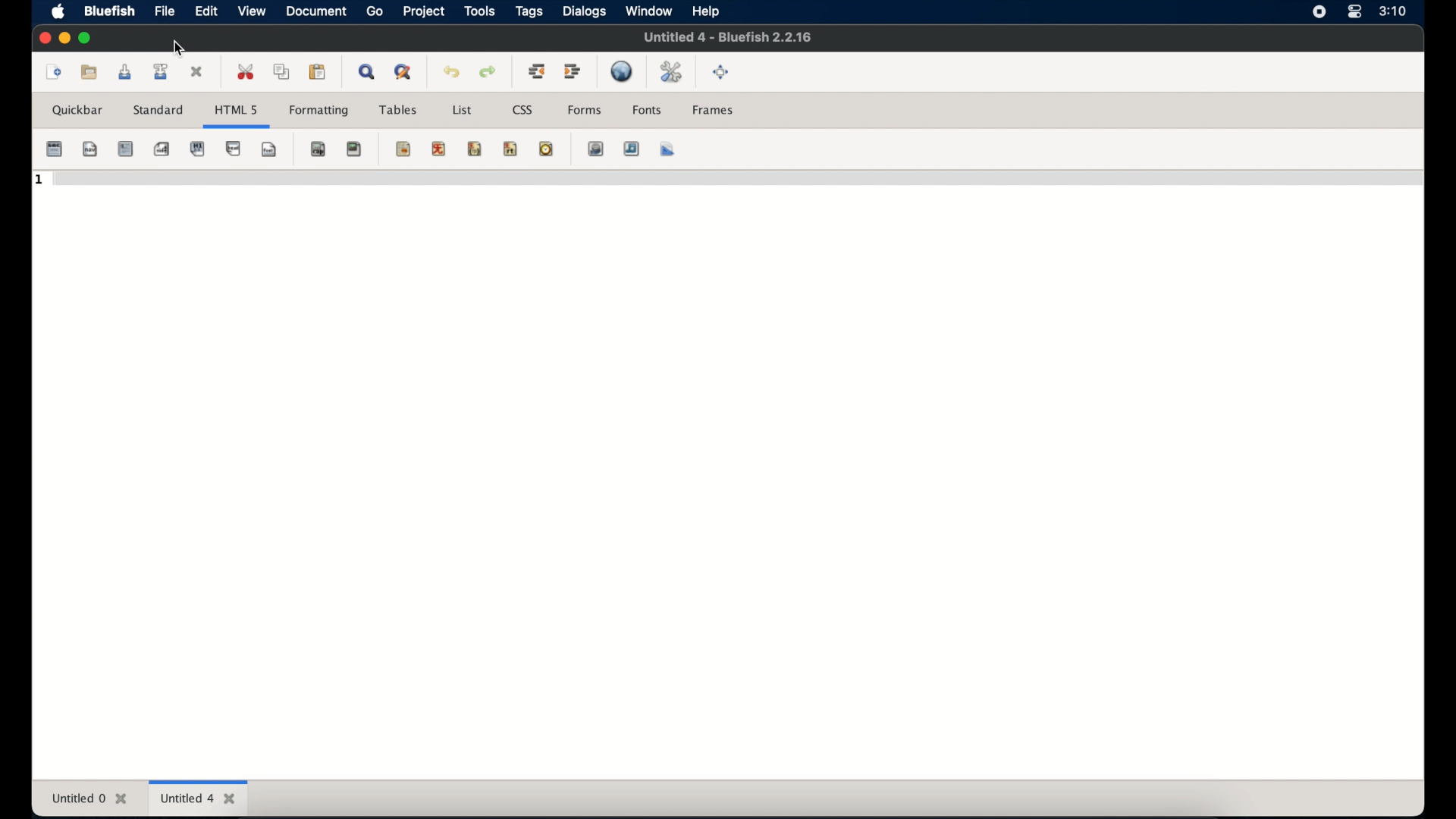  What do you see at coordinates (318, 72) in the screenshot?
I see `paste` at bounding box center [318, 72].